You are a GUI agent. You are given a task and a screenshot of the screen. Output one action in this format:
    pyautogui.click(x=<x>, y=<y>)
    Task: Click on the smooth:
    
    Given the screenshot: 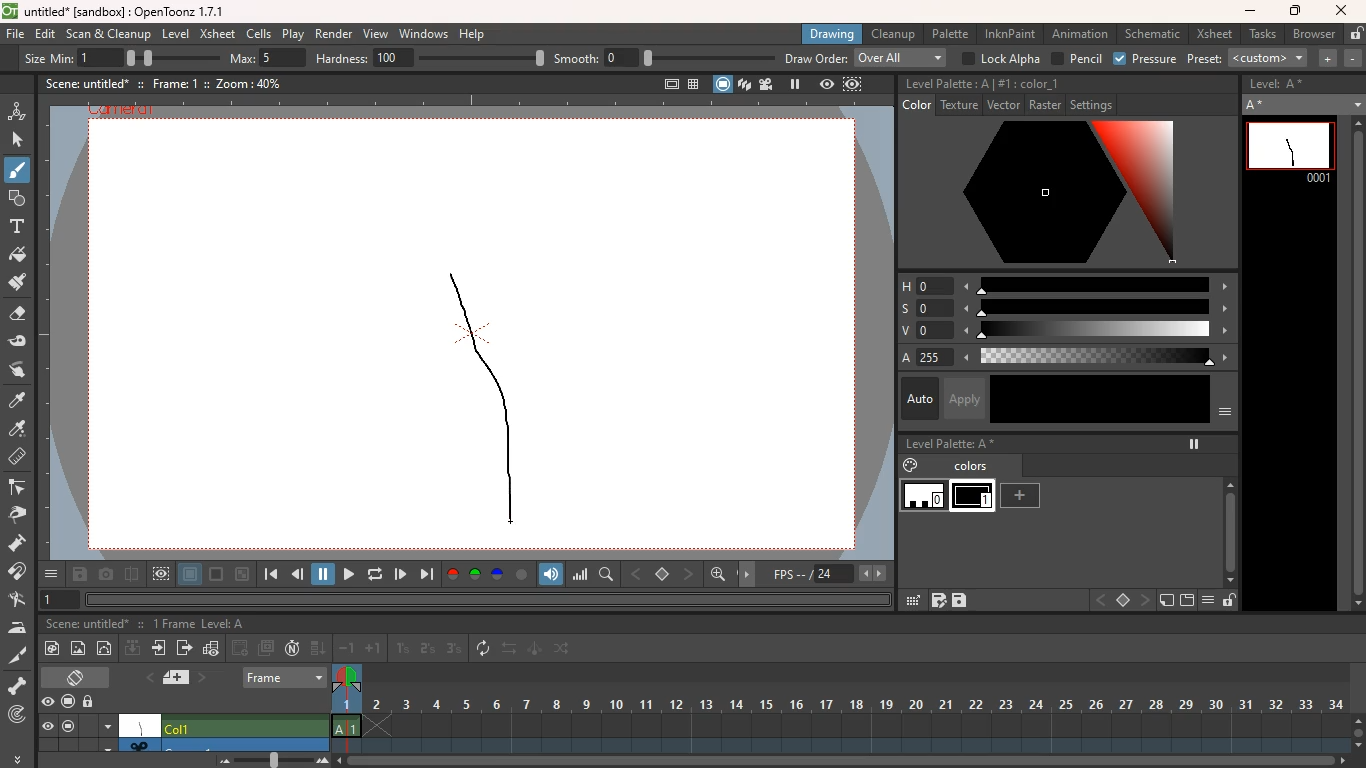 What is the action you would take?
    pyautogui.click(x=663, y=58)
    